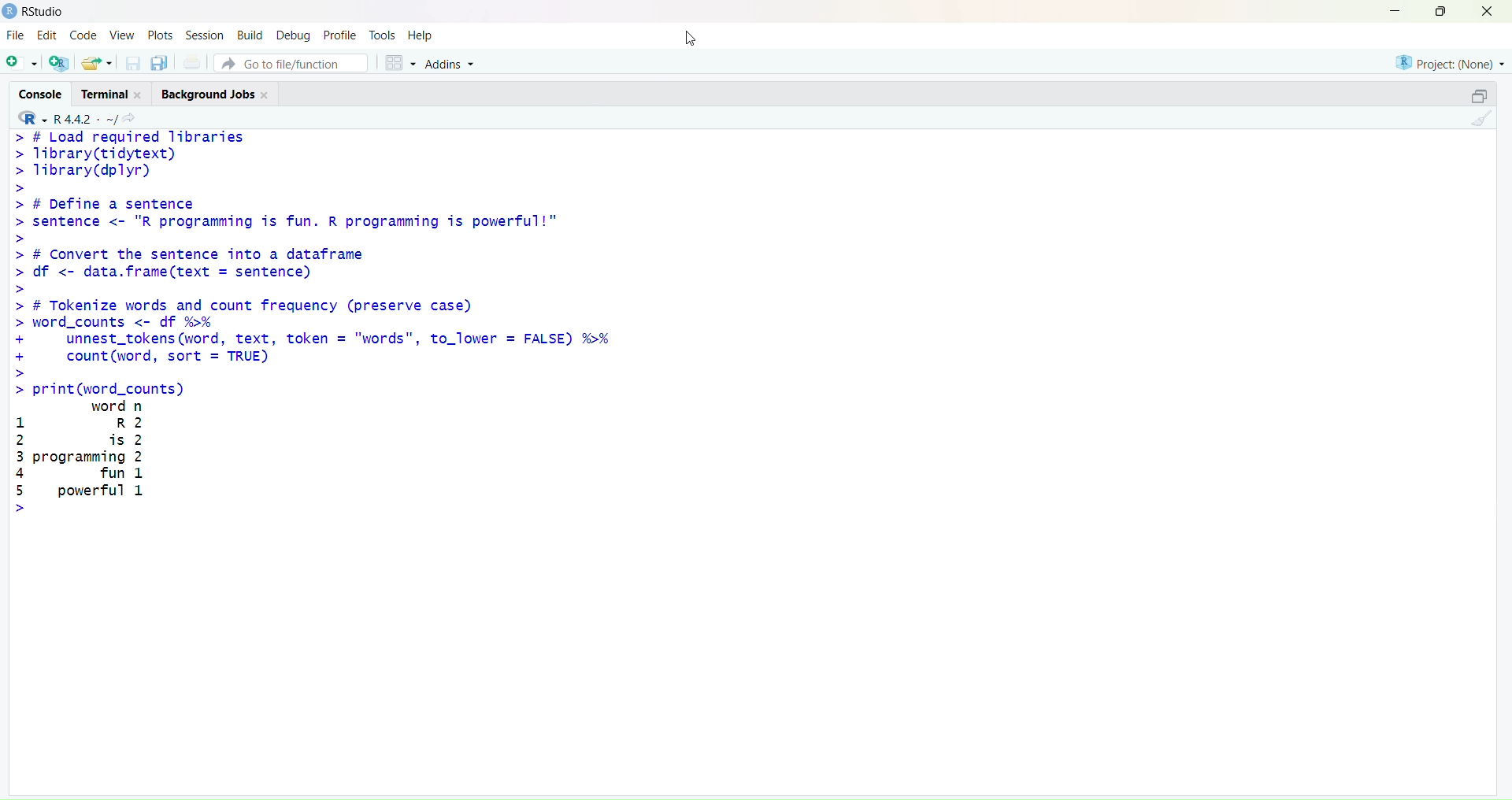  What do you see at coordinates (124, 35) in the screenshot?
I see `view` at bounding box center [124, 35].